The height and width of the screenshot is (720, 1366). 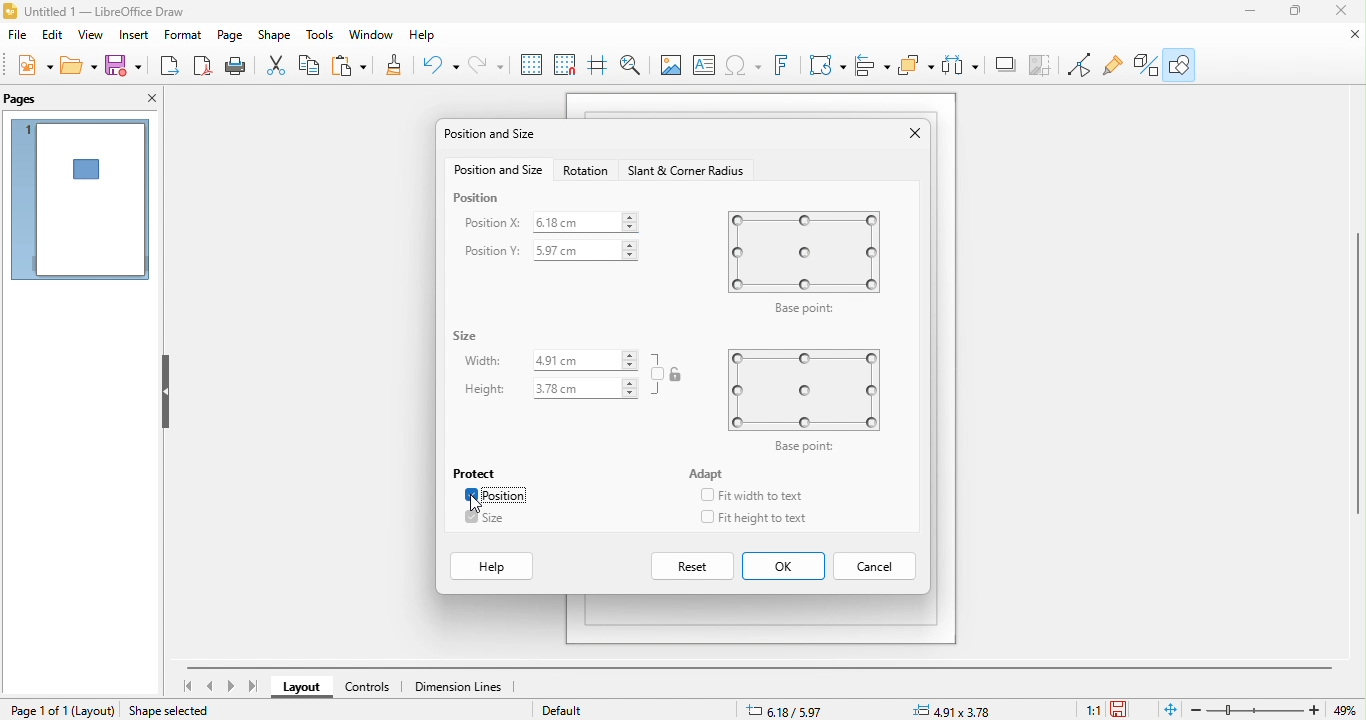 I want to click on reset, so click(x=694, y=566).